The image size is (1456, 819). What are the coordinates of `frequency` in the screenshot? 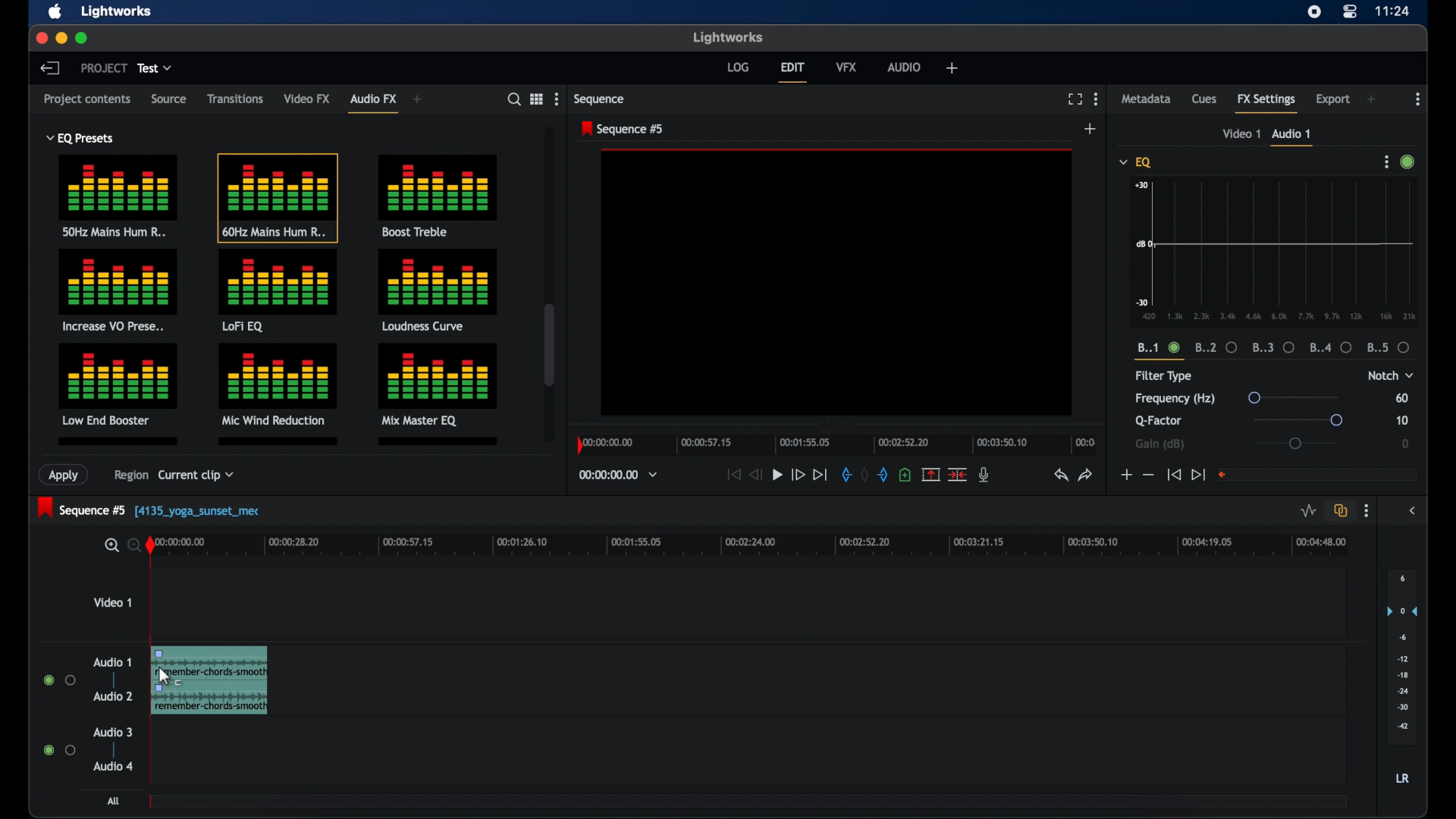 It's located at (1177, 398).